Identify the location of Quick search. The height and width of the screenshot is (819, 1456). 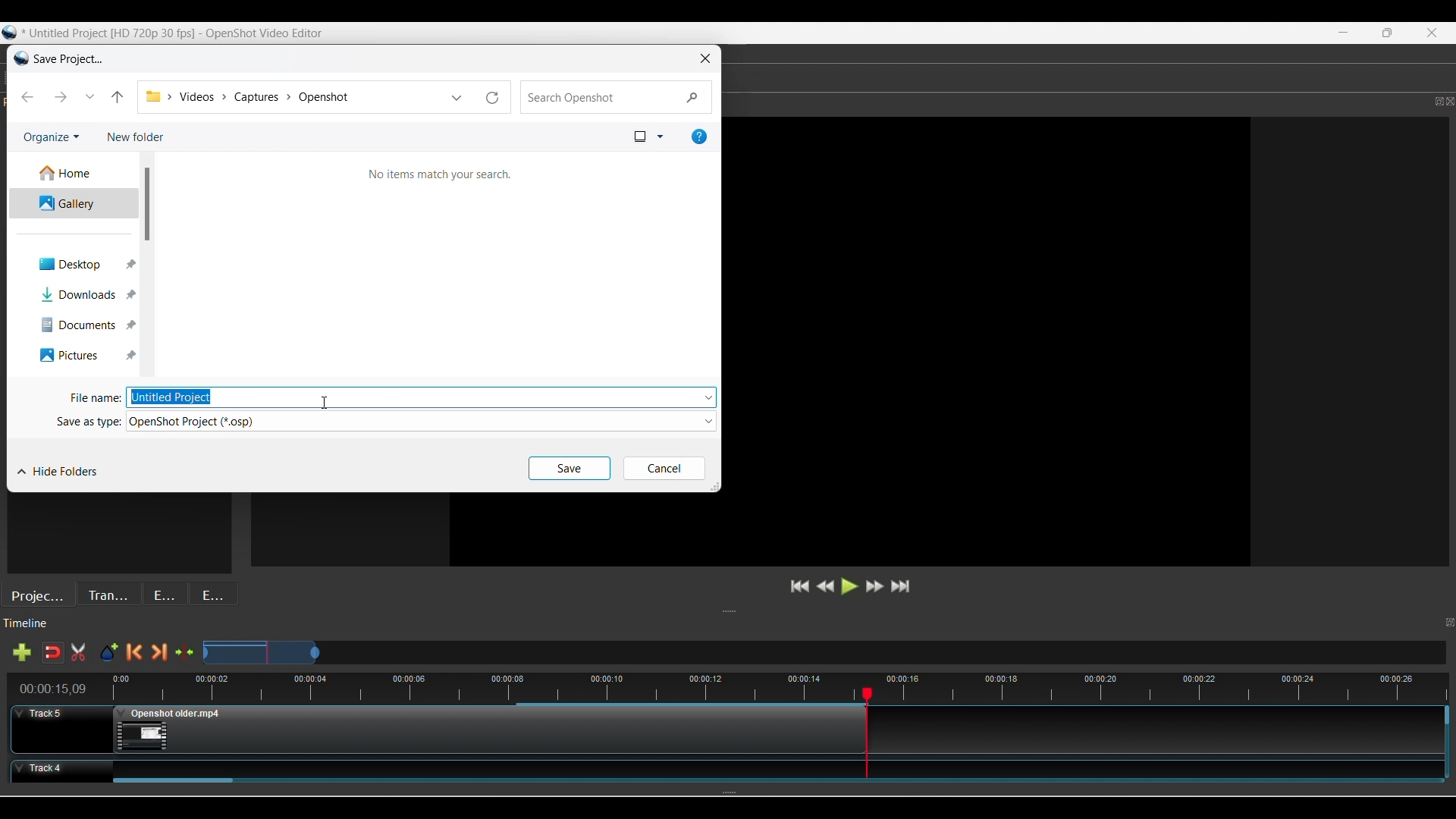
(614, 96).